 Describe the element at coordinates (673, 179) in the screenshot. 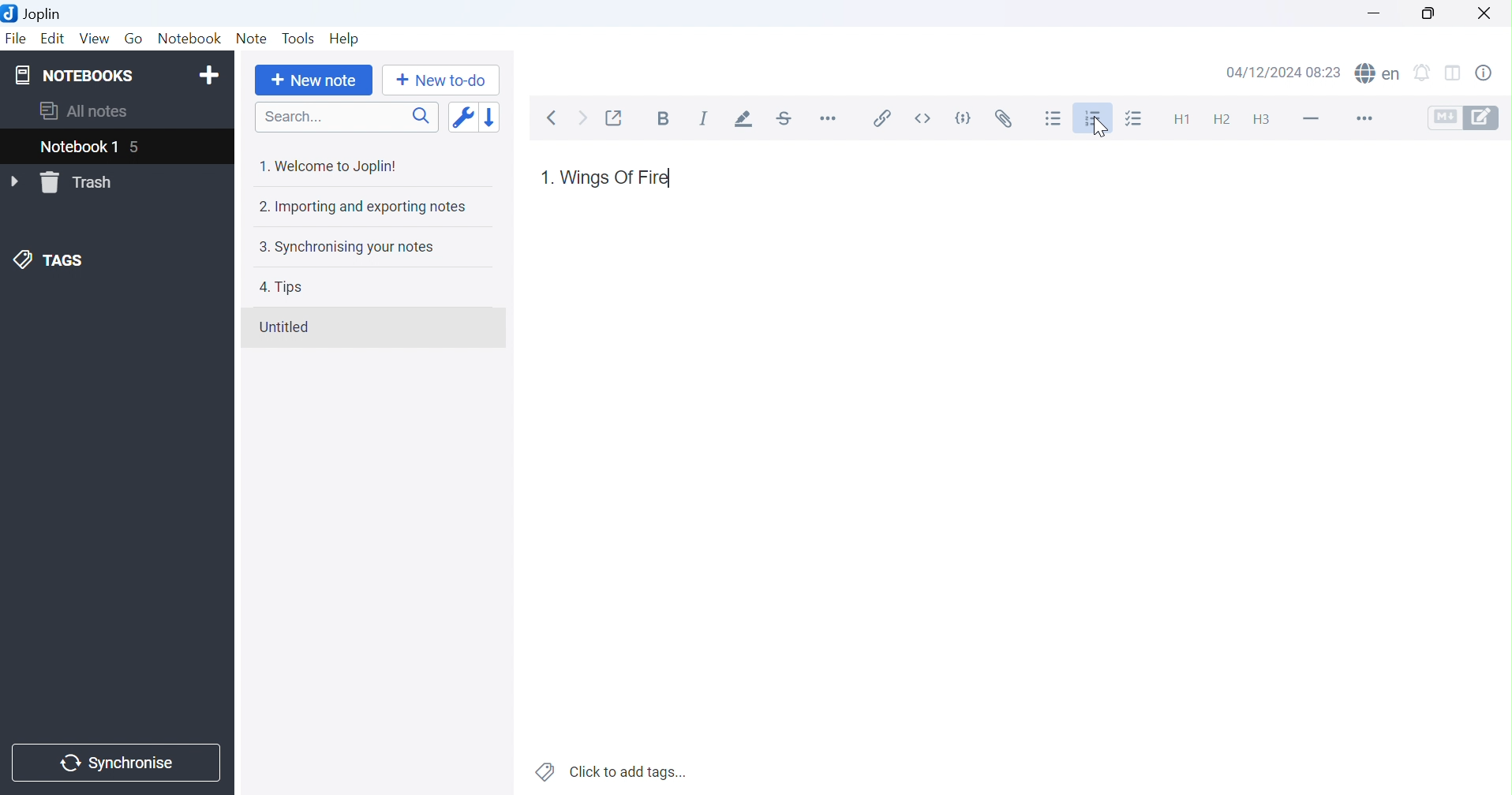

I see `typing cursor` at that location.